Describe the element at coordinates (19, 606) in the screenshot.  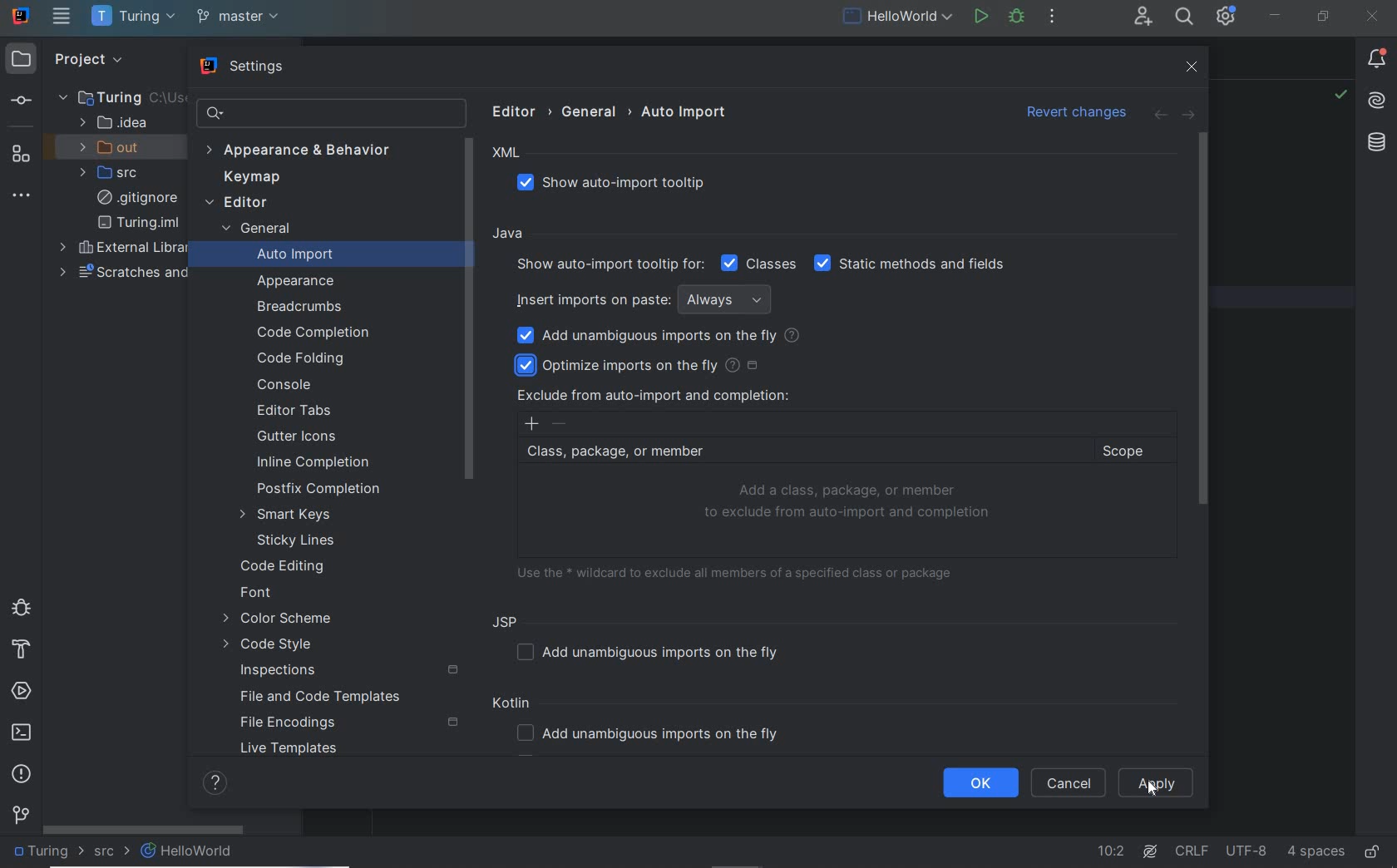
I see `debug` at that location.